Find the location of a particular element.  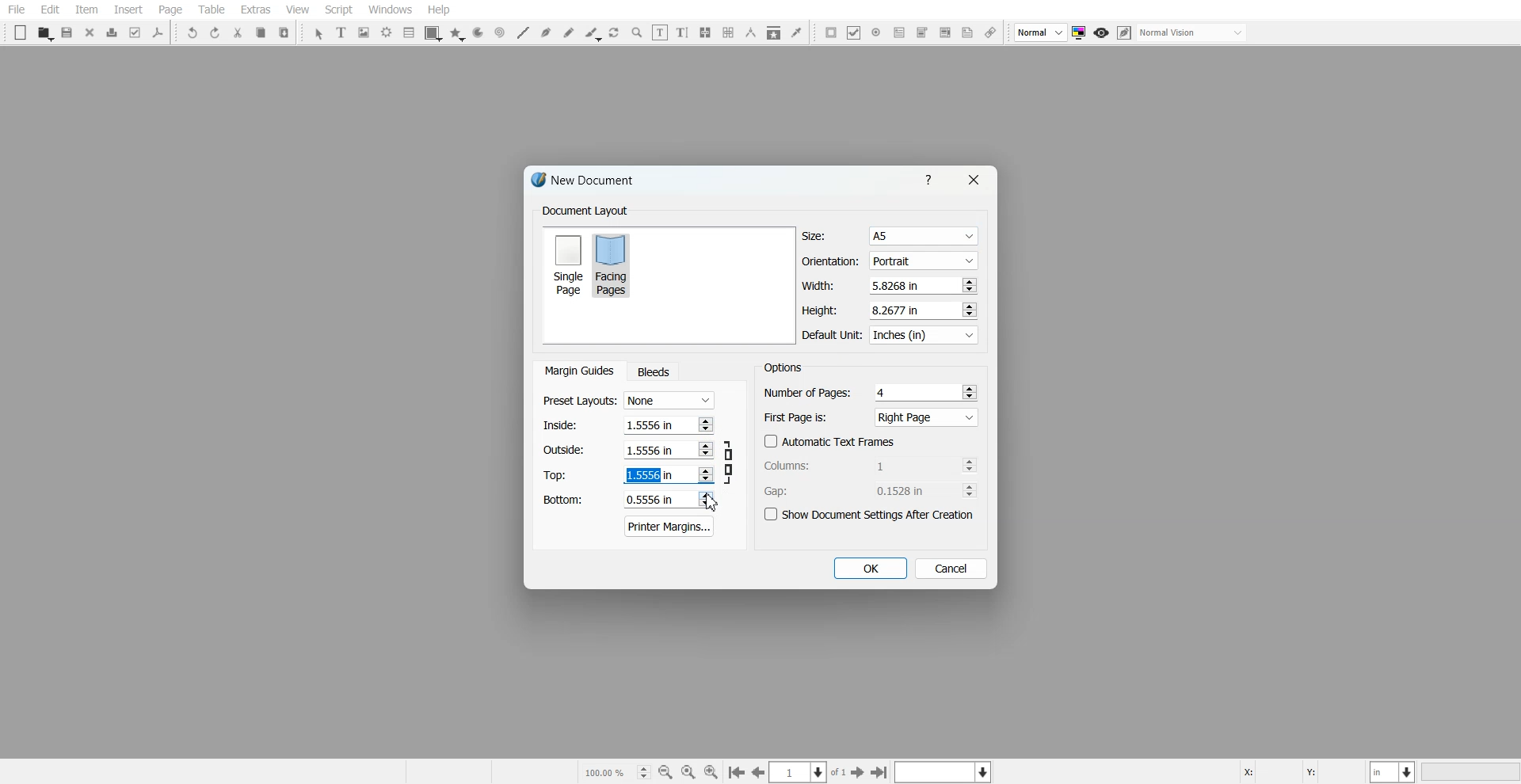

Edit is located at coordinates (49, 10).